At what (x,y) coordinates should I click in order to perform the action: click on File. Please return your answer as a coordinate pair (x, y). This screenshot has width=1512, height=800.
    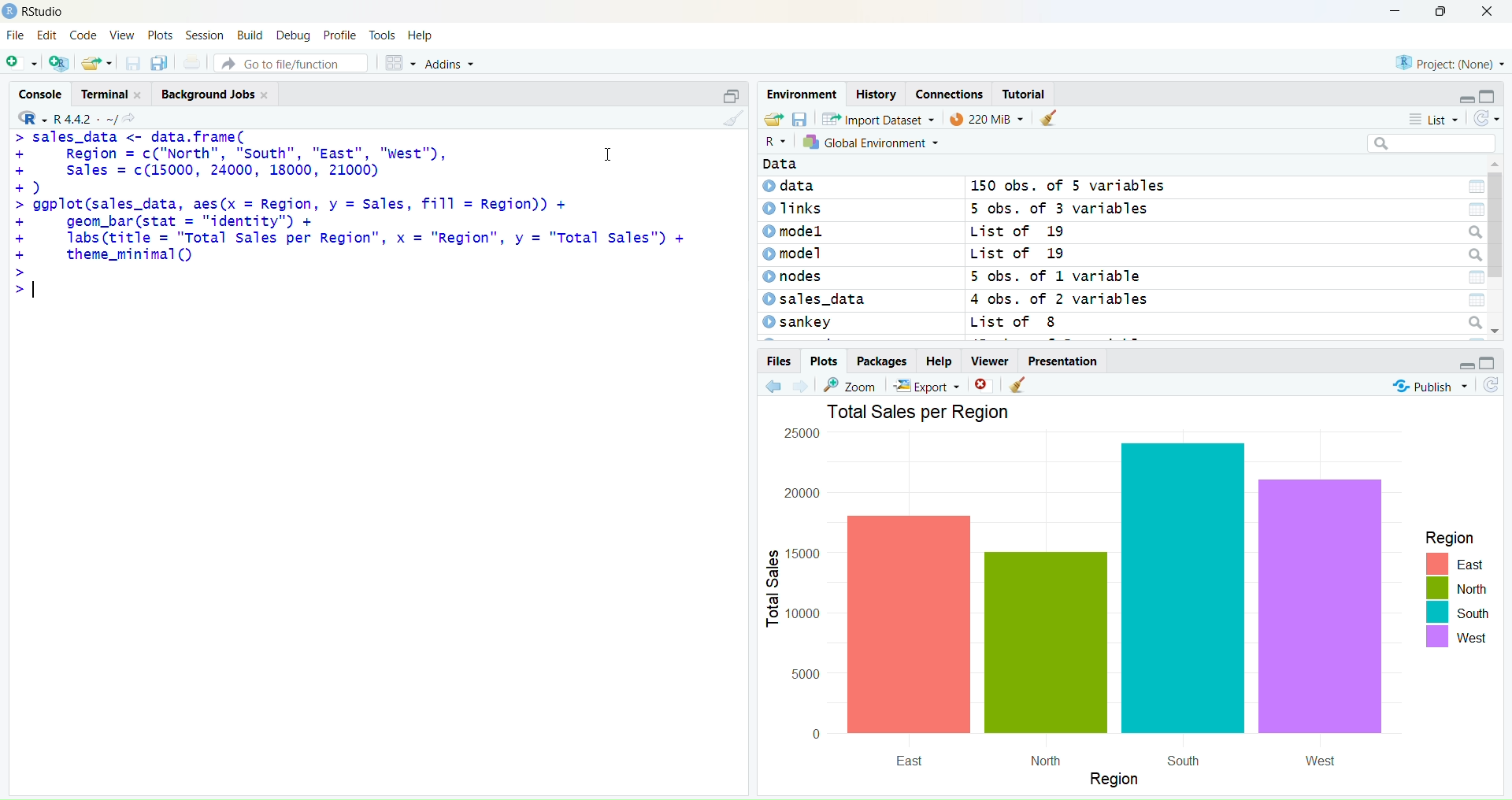
    Looking at the image, I should click on (16, 36).